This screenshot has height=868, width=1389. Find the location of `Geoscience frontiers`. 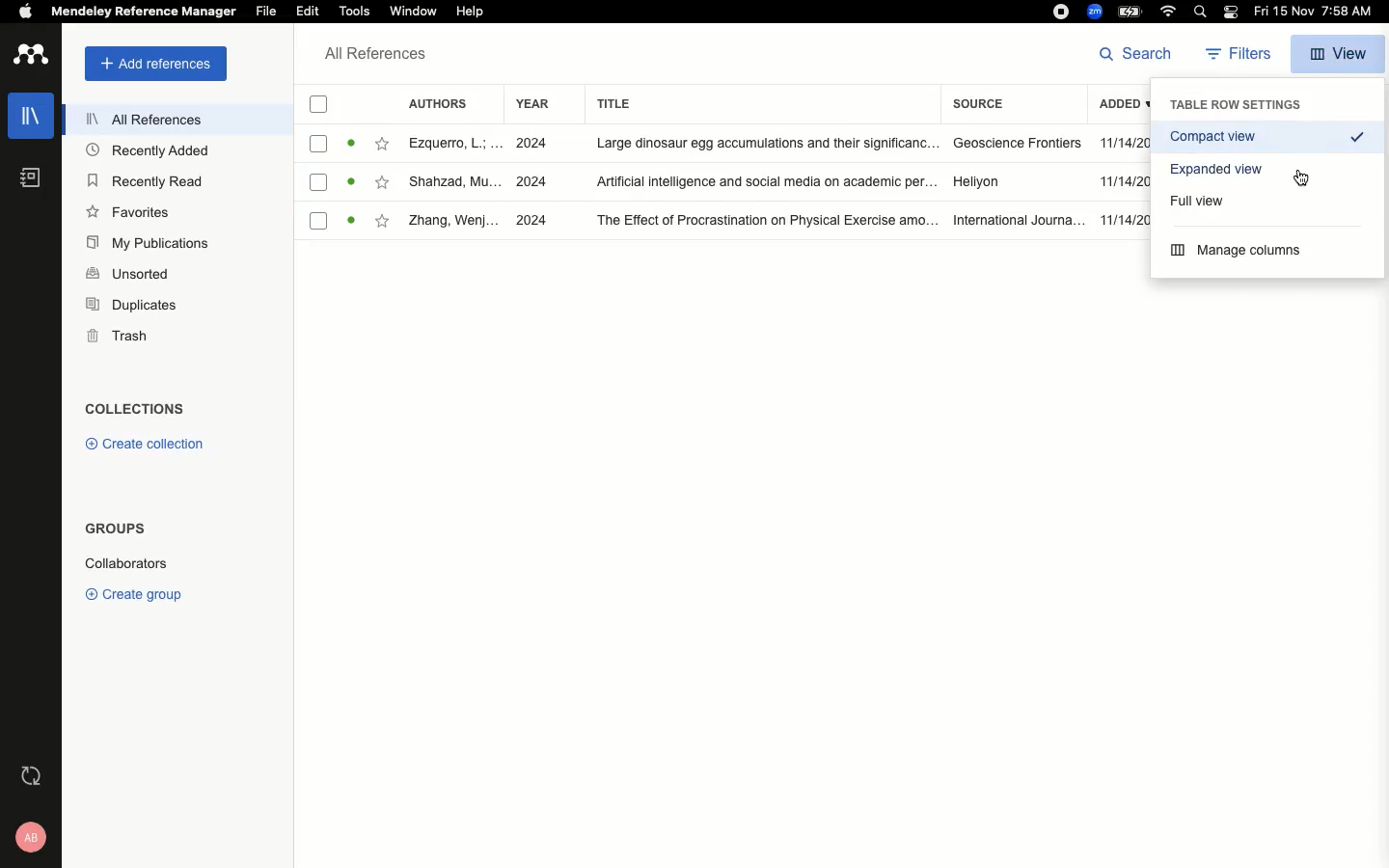

Geoscience frontiers is located at coordinates (1011, 143).